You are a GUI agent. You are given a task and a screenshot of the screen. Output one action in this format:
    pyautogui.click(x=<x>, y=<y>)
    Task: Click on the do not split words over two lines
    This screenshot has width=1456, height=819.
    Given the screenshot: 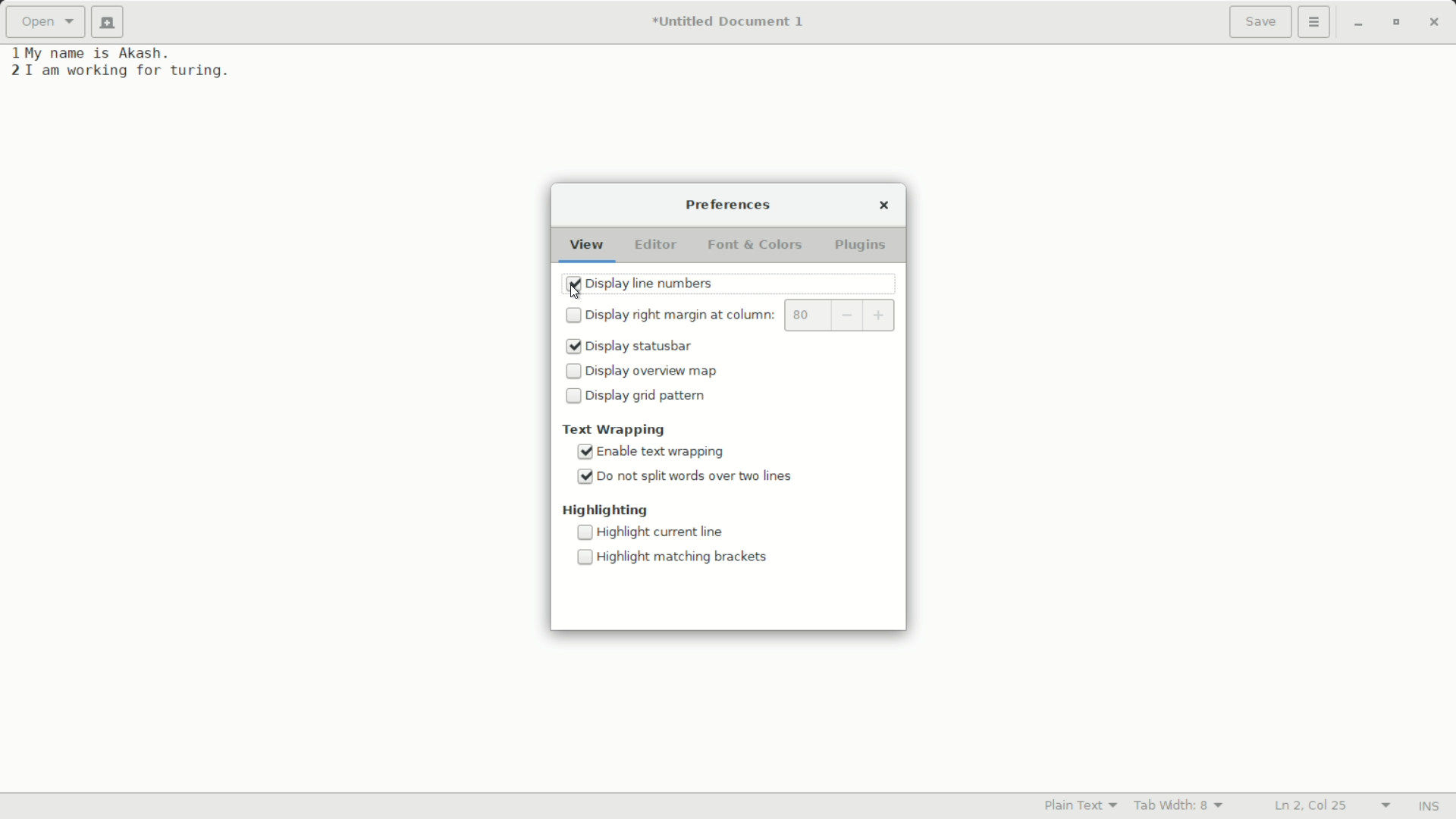 What is the action you would take?
    pyautogui.click(x=698, y=477)
    